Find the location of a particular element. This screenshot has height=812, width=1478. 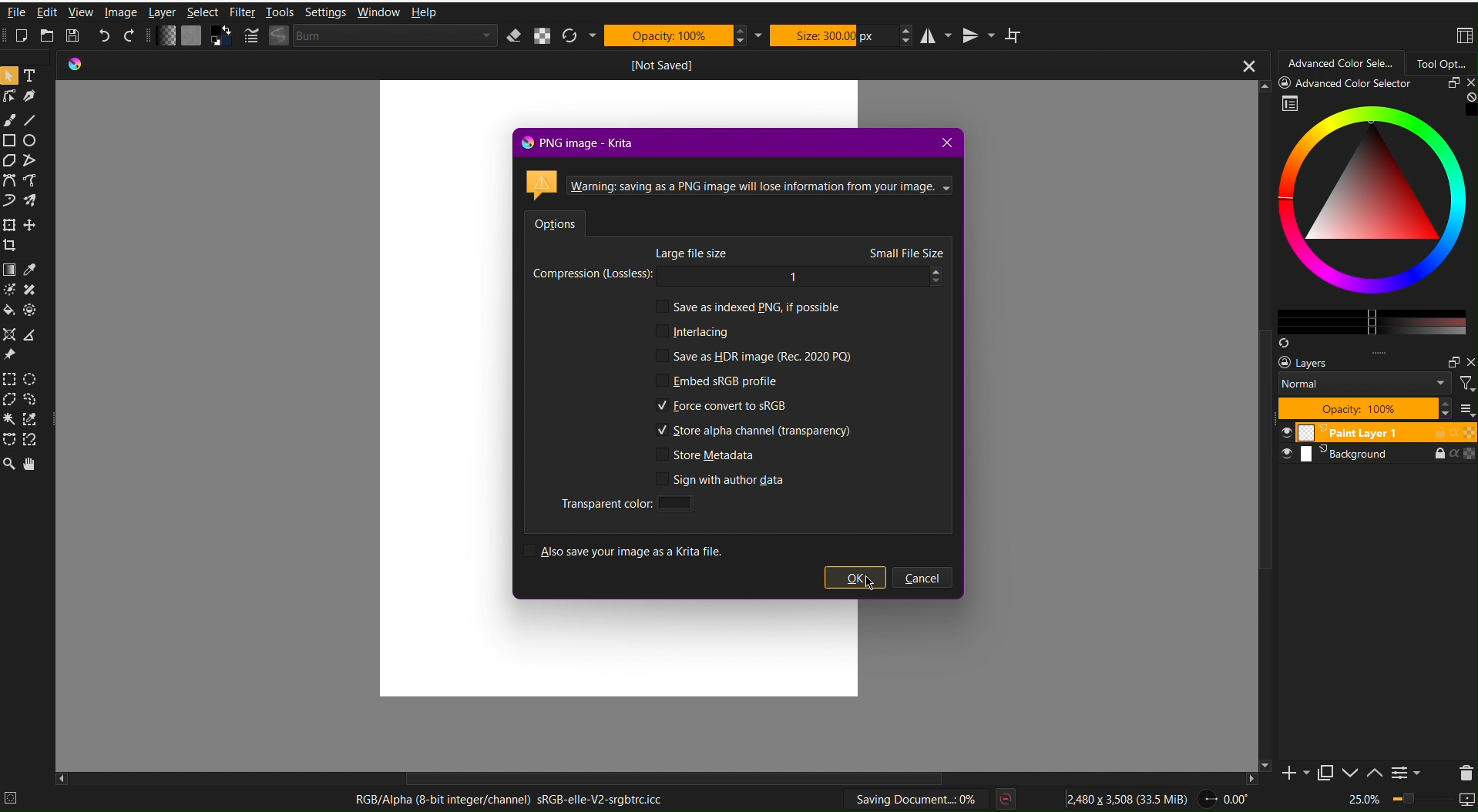

File is located at coordinates (15, 15).